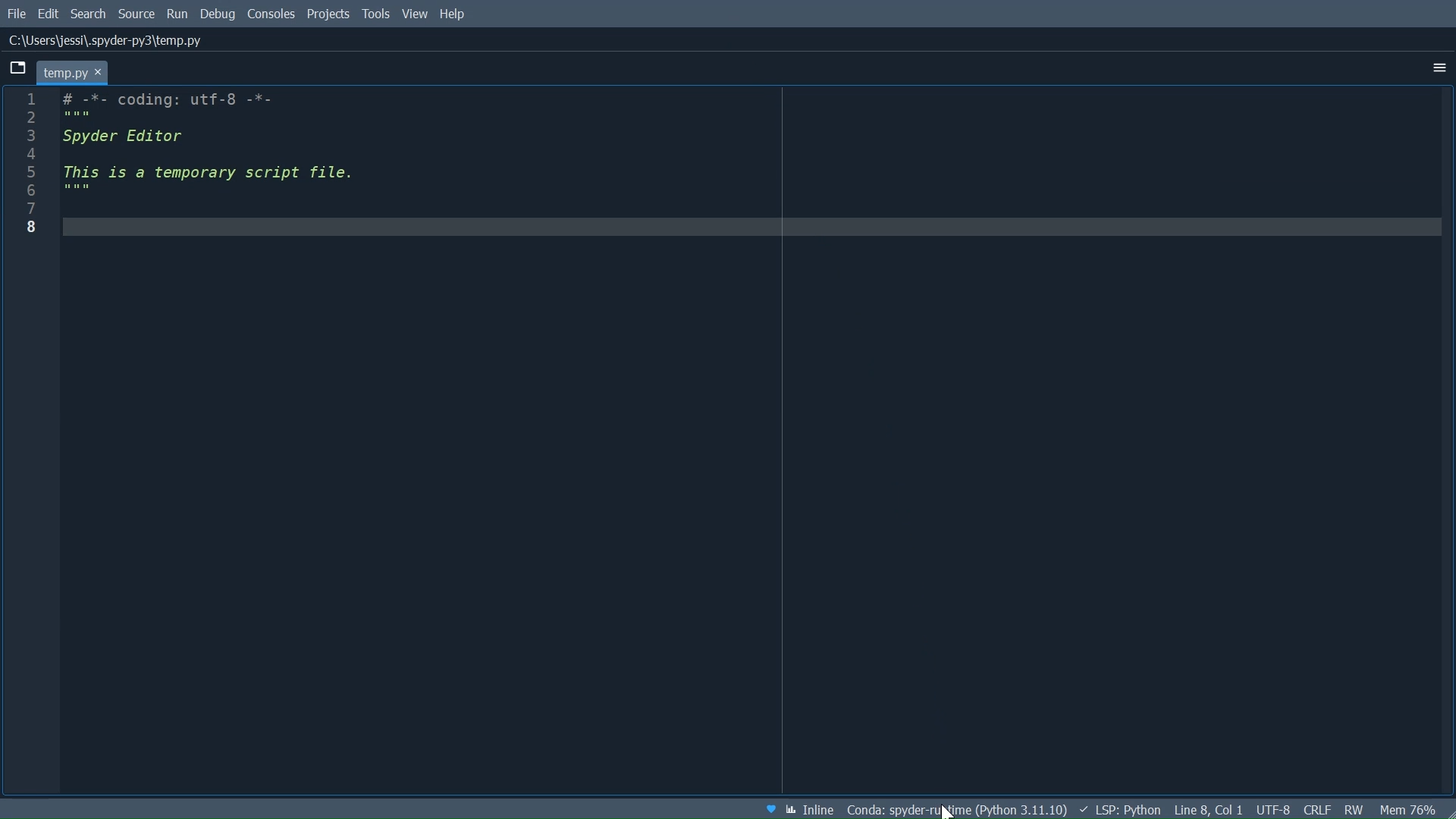 The width and height of the screenshot is (1456, 819). I want to click on Cursor Position, so click(1210, 810).